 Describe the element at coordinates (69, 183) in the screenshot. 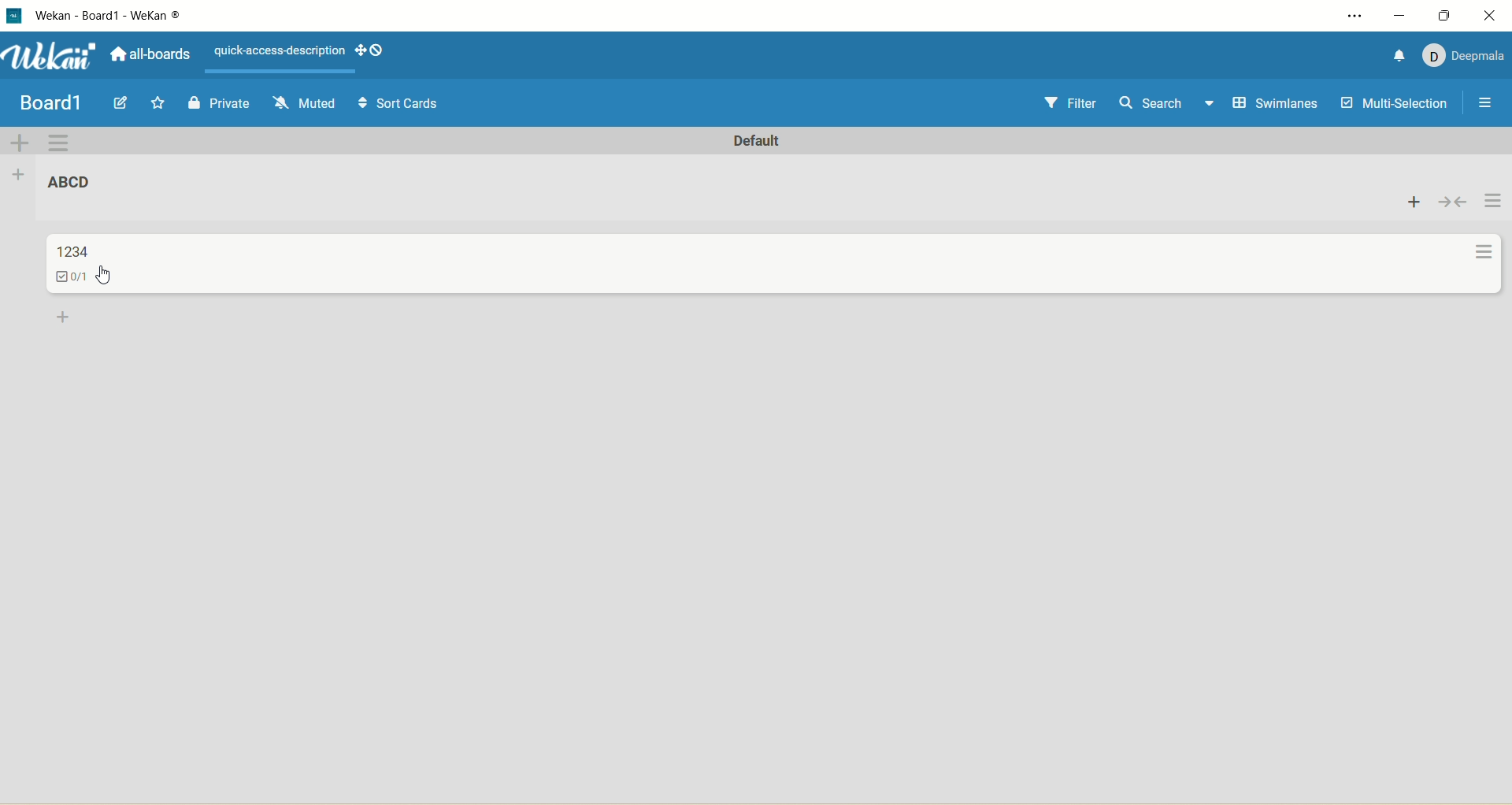

I see `title` at that location.